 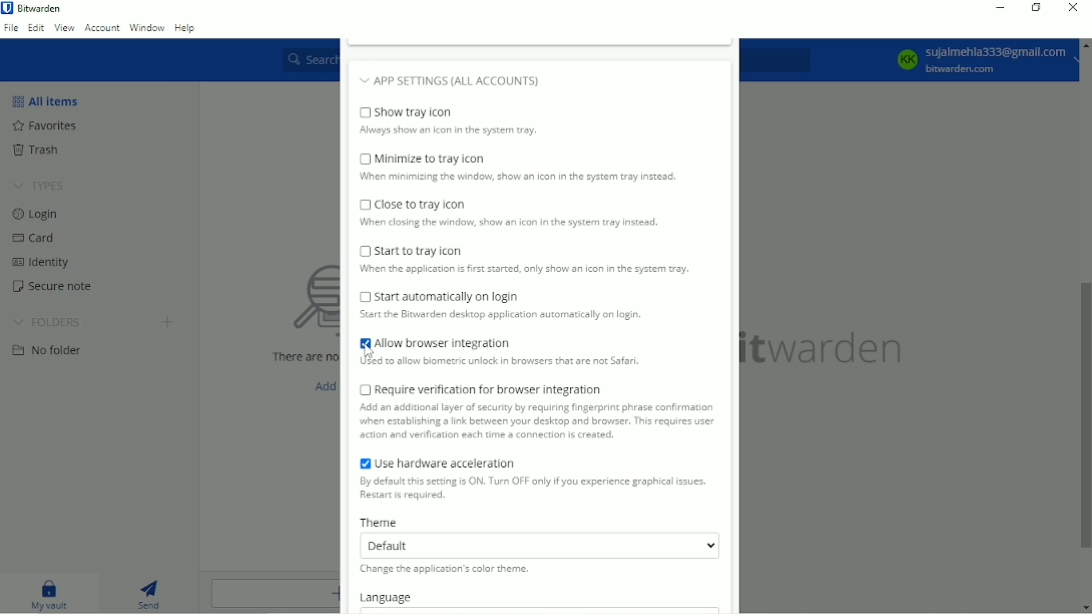 I want to click on When the application is started, only show an icon in the system tray., so click(x=523, y=271).